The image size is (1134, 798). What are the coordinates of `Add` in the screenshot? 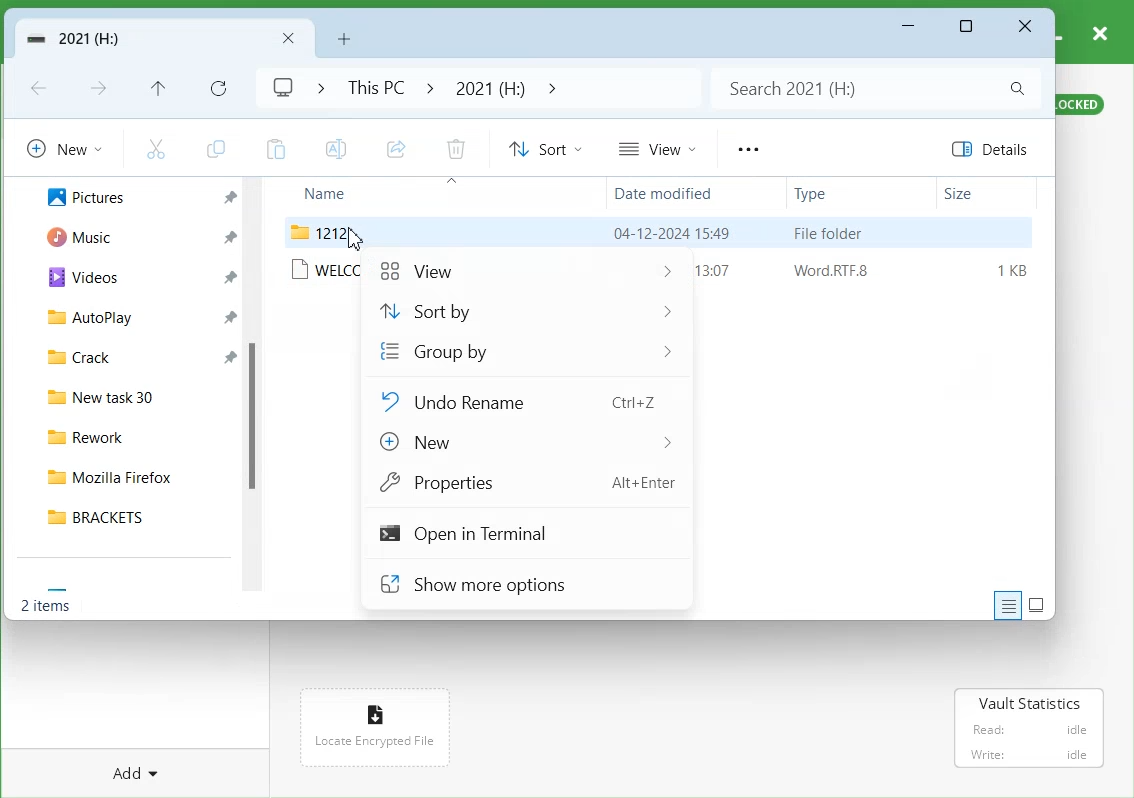 It's located at (130, 772).